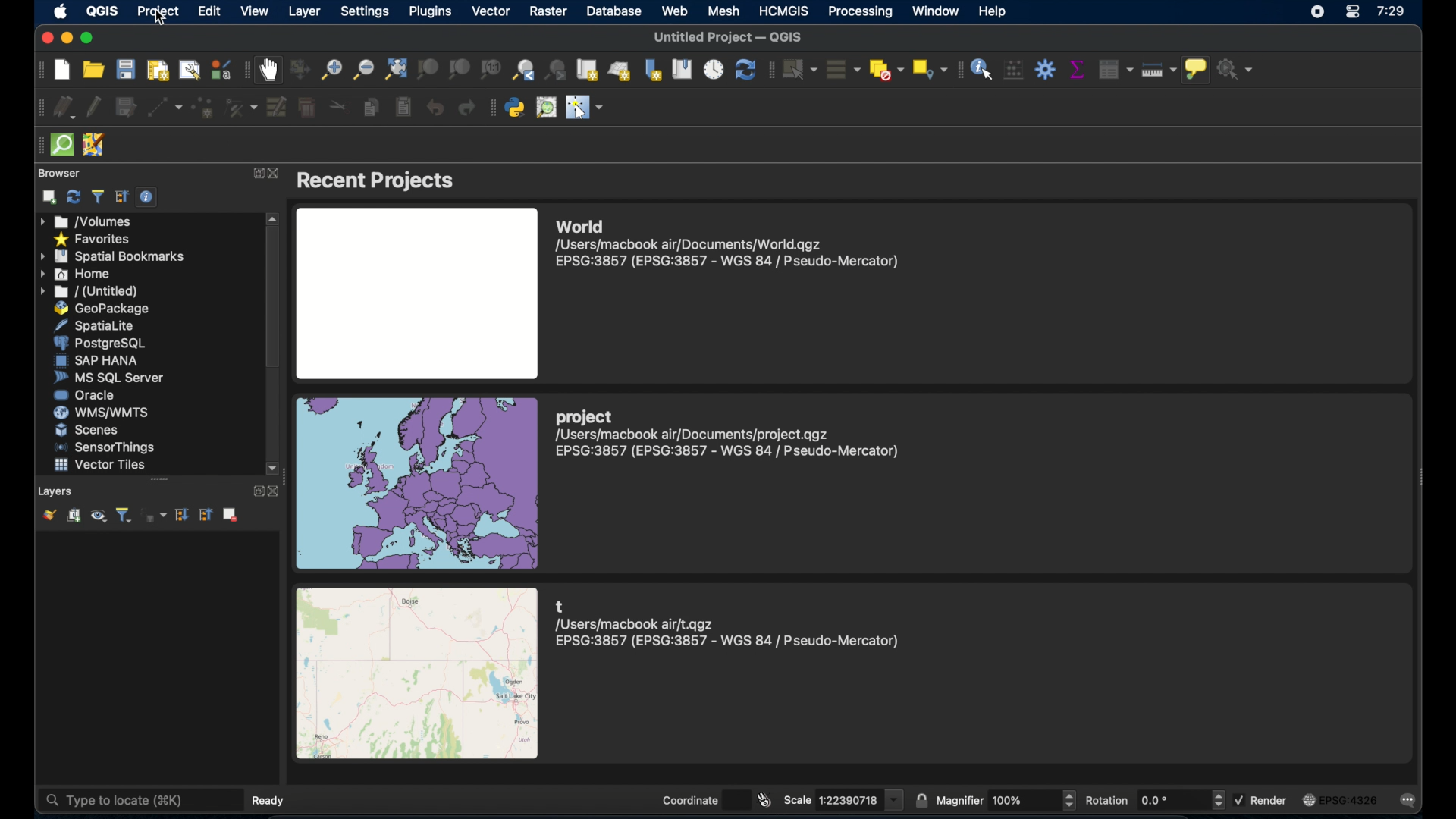 This screenshot has width=1456, height=819. What do you see at coordinates (491, 108) in the screenshot?
I see `plugins toolbar` at bounding box center [491, 108].